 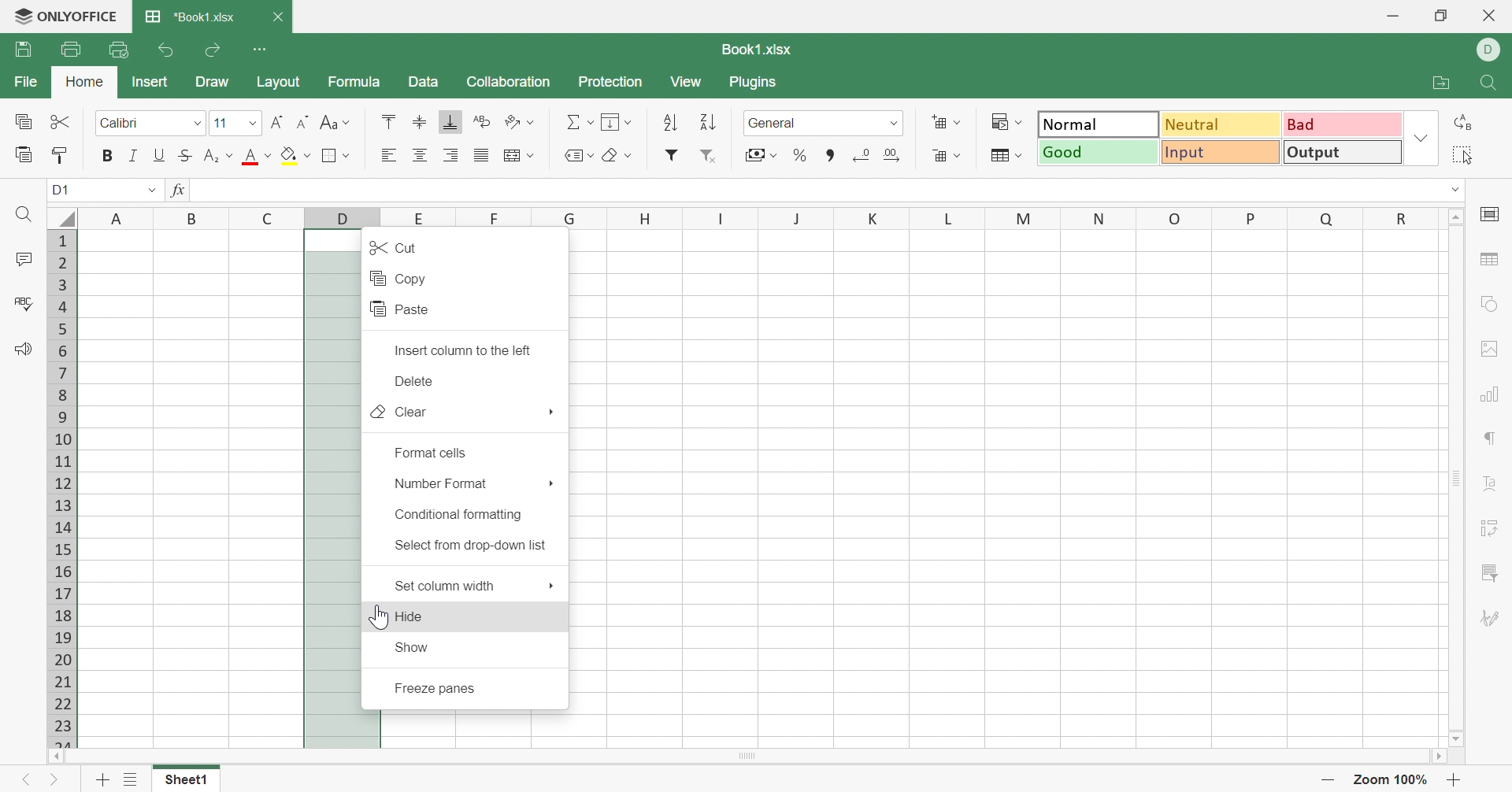 What do you see at coordinates (1491, 483) in the screenshot?
I see `Text Art settings` at bounding box center [1491, 483].